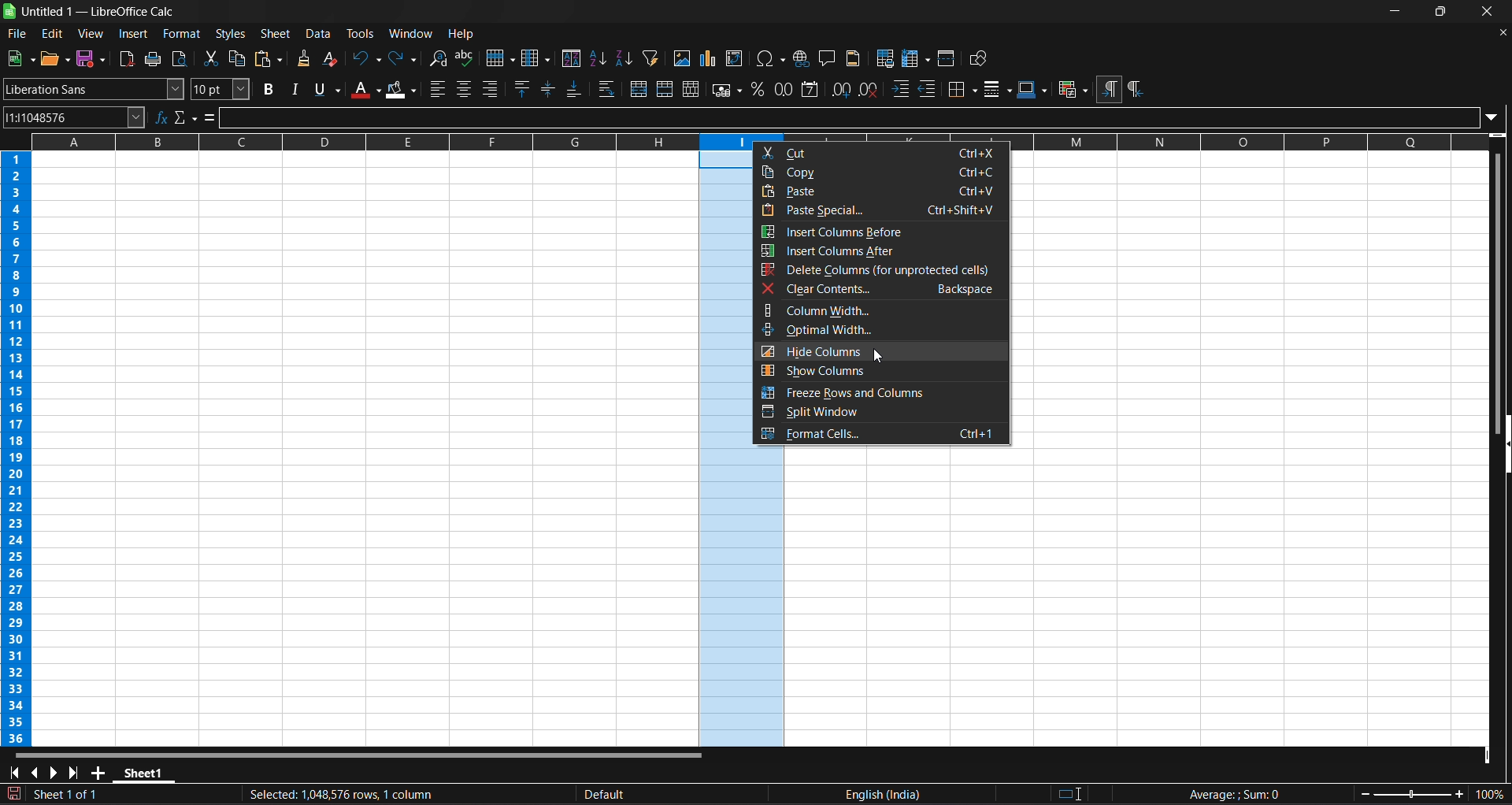  What do you see at coordinates (10, 11) in the screenshot?
I see `logo` at bounding box center [10, 11].